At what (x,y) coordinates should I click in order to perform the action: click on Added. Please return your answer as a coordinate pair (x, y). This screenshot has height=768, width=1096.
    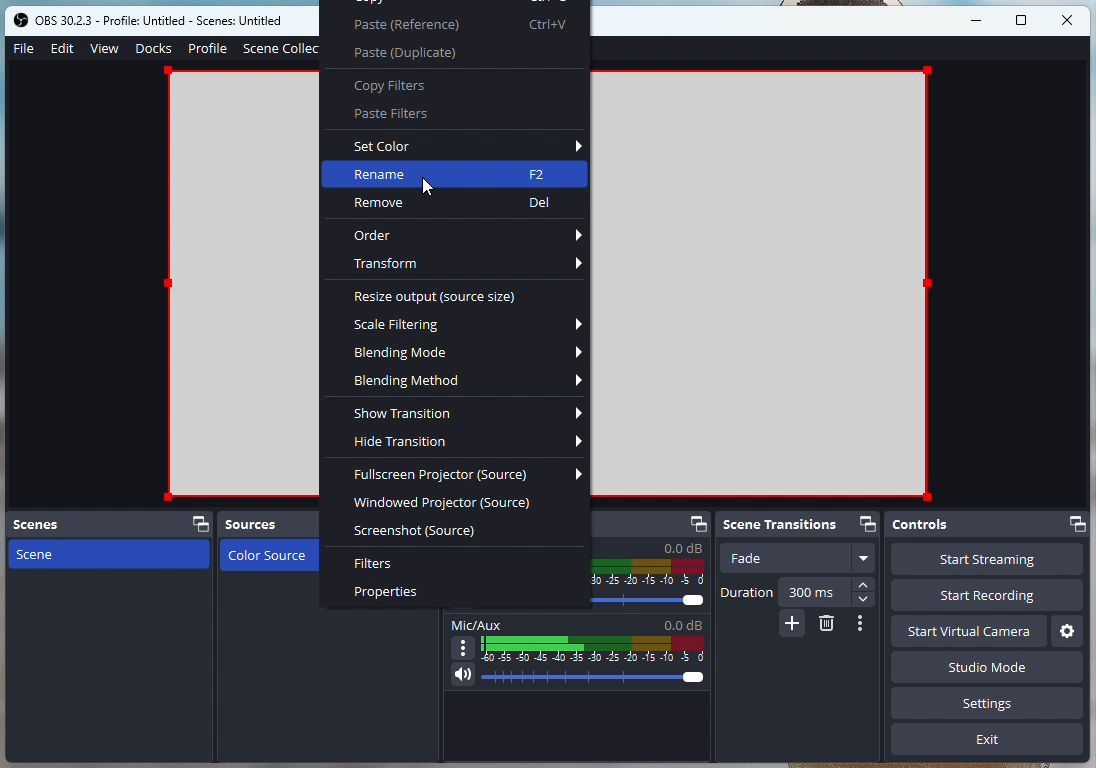
    Looking at the image, I should click on (792, 625).